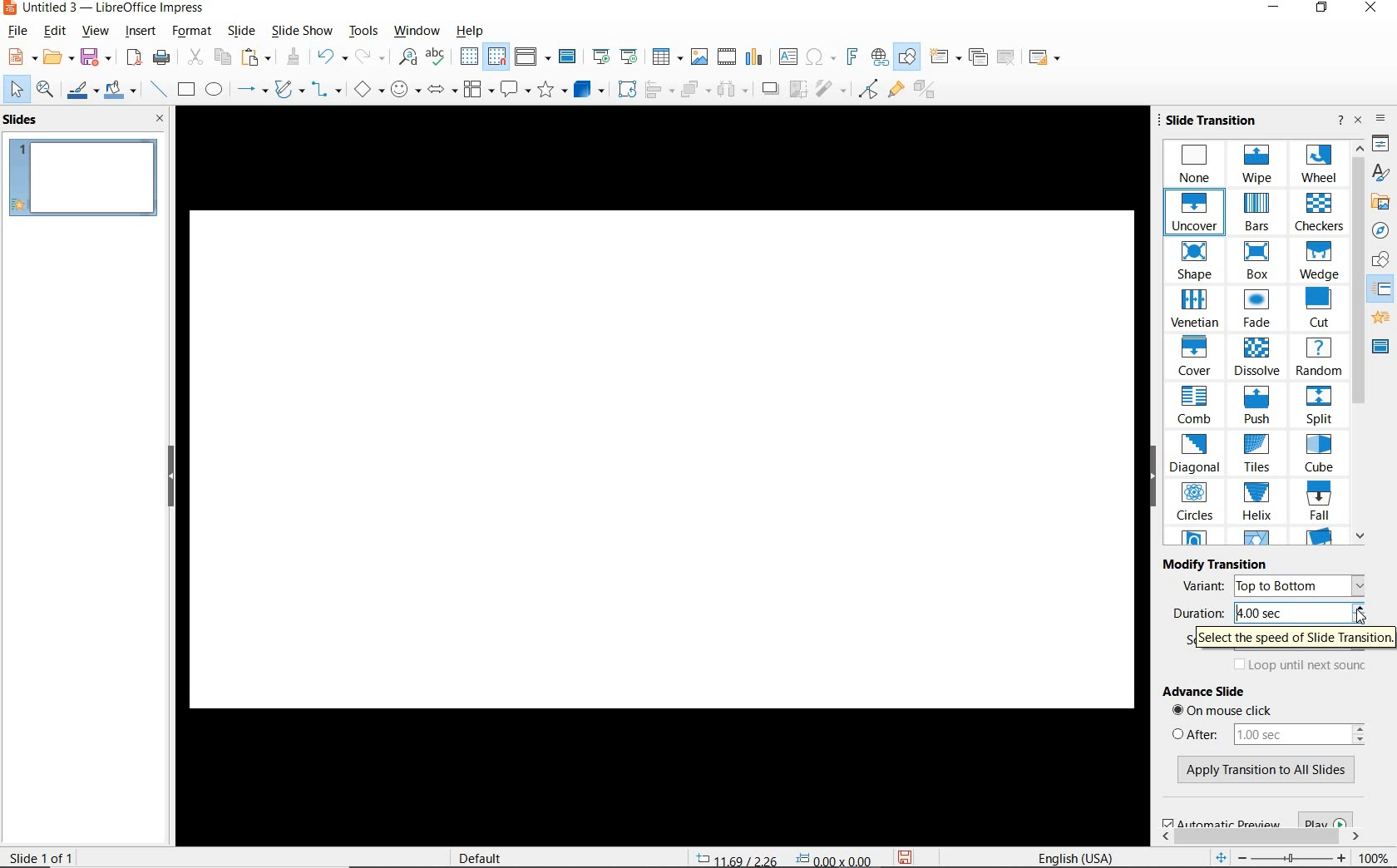  I want to click on SLIDE SHOW, so click(303, 31).